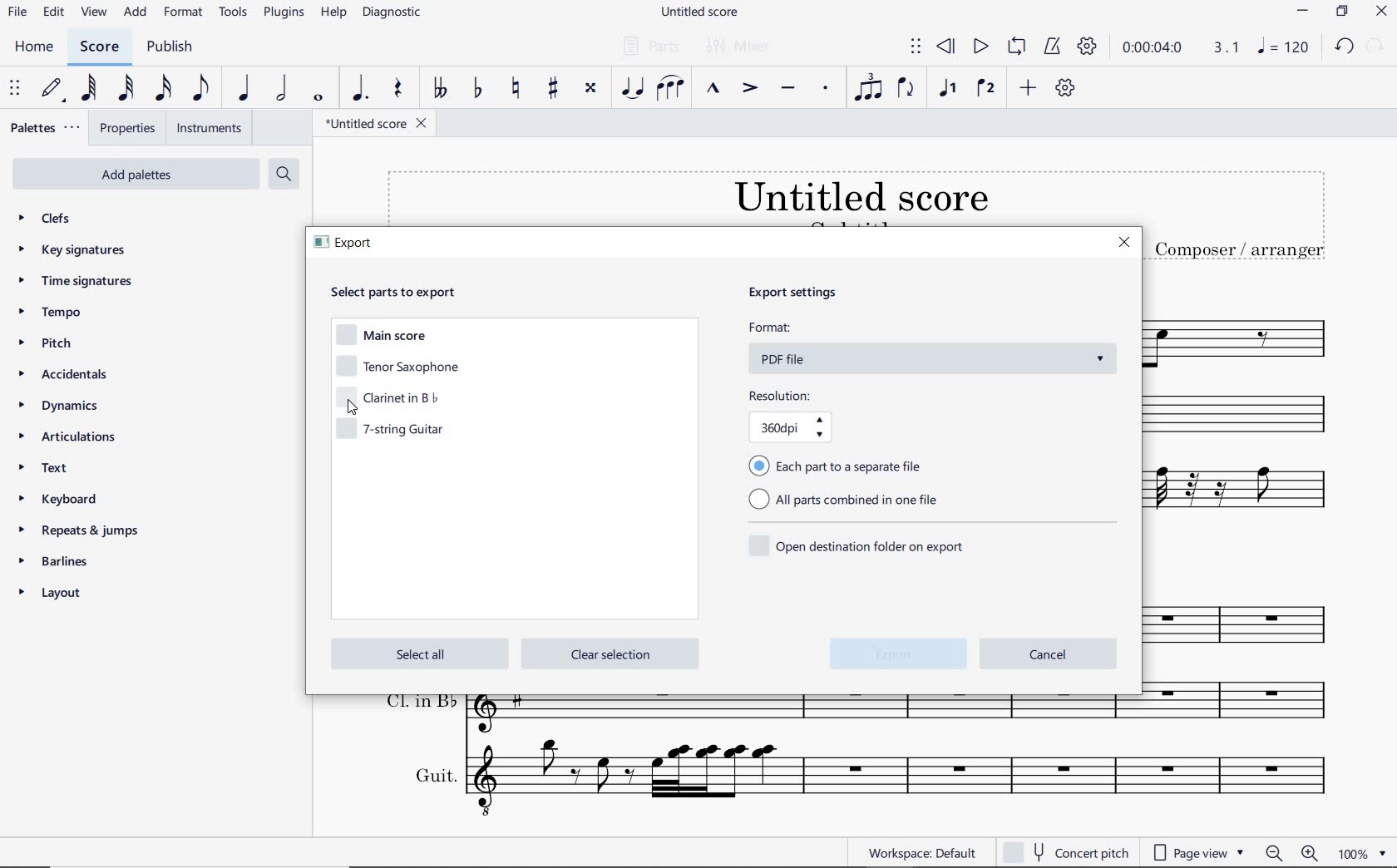 This screenshot has width=1397, height=868. What do you see at coordinates (55, 594) in the screenshot?
I see `layout` at bounding box center [55, 594].